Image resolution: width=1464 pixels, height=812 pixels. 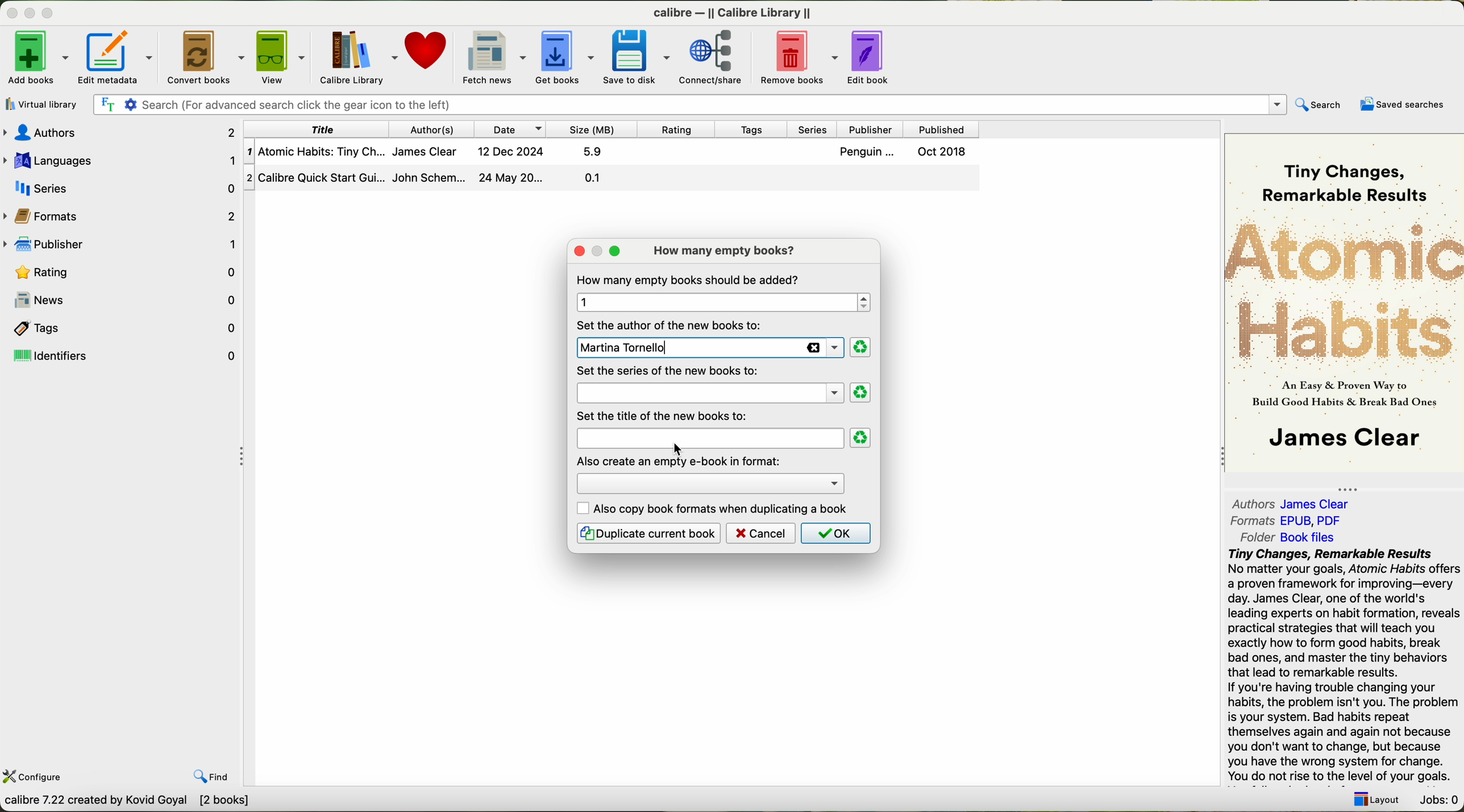 I want to click on save to disk, so click(x=637, y=57).